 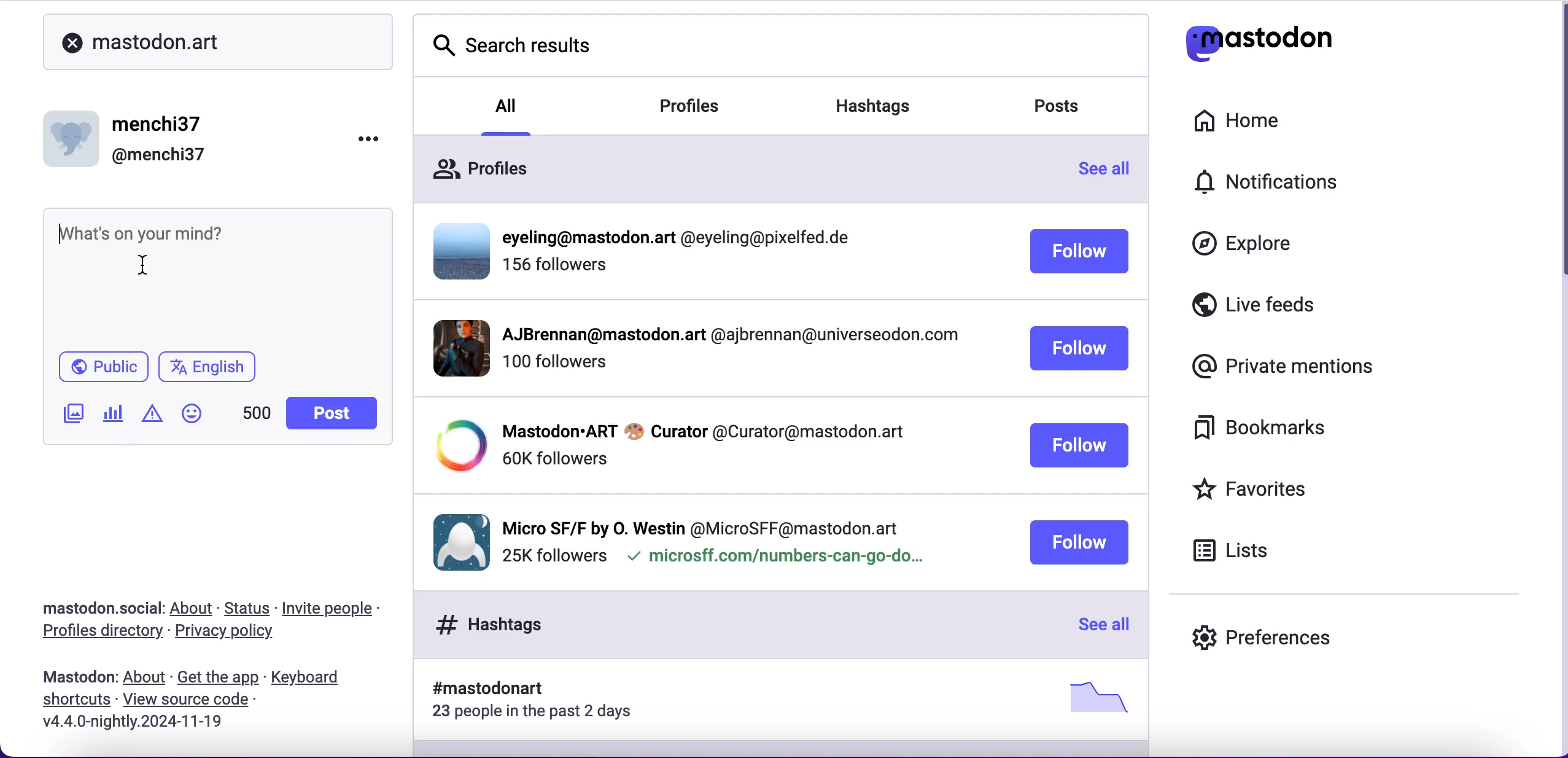 I want to click on hashtags, so click(x=483, y=624).